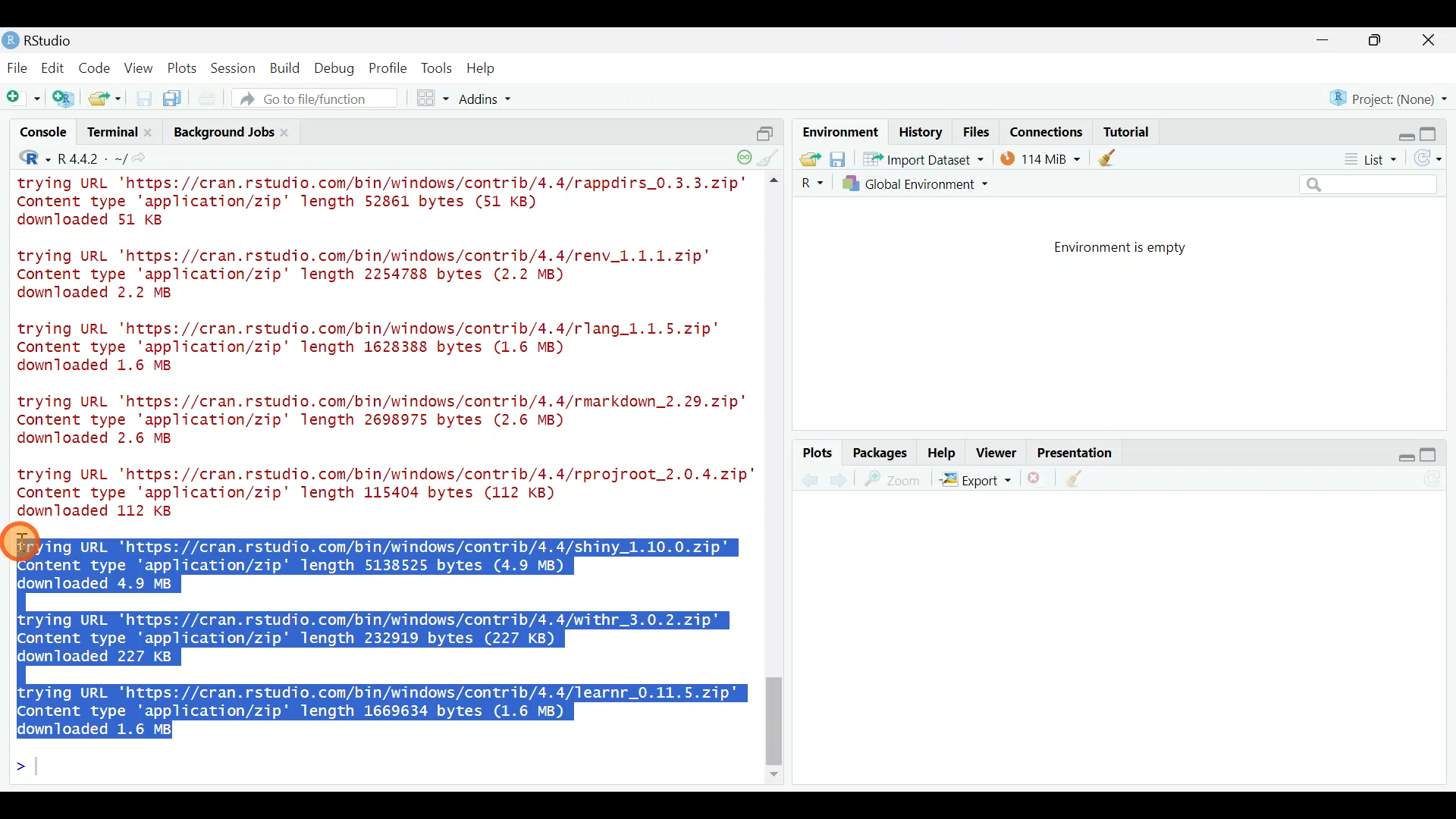  I want to click on scroll bar, so click(777, 479).